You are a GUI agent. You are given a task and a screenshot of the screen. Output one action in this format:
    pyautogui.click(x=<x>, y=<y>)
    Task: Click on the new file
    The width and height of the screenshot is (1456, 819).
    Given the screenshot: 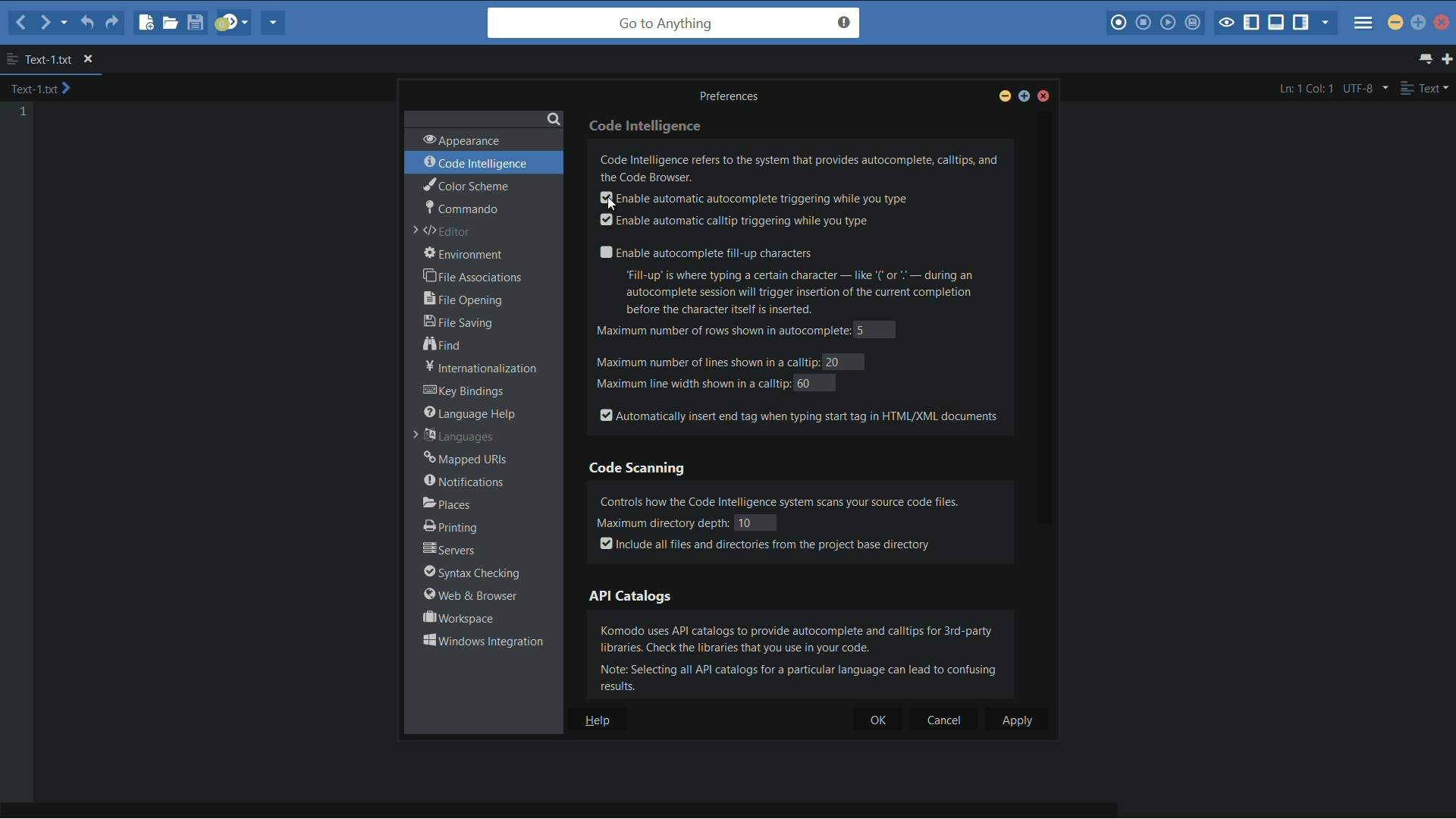 What is the action you would take?
    pyautogui.click(x=146, y=24)
    